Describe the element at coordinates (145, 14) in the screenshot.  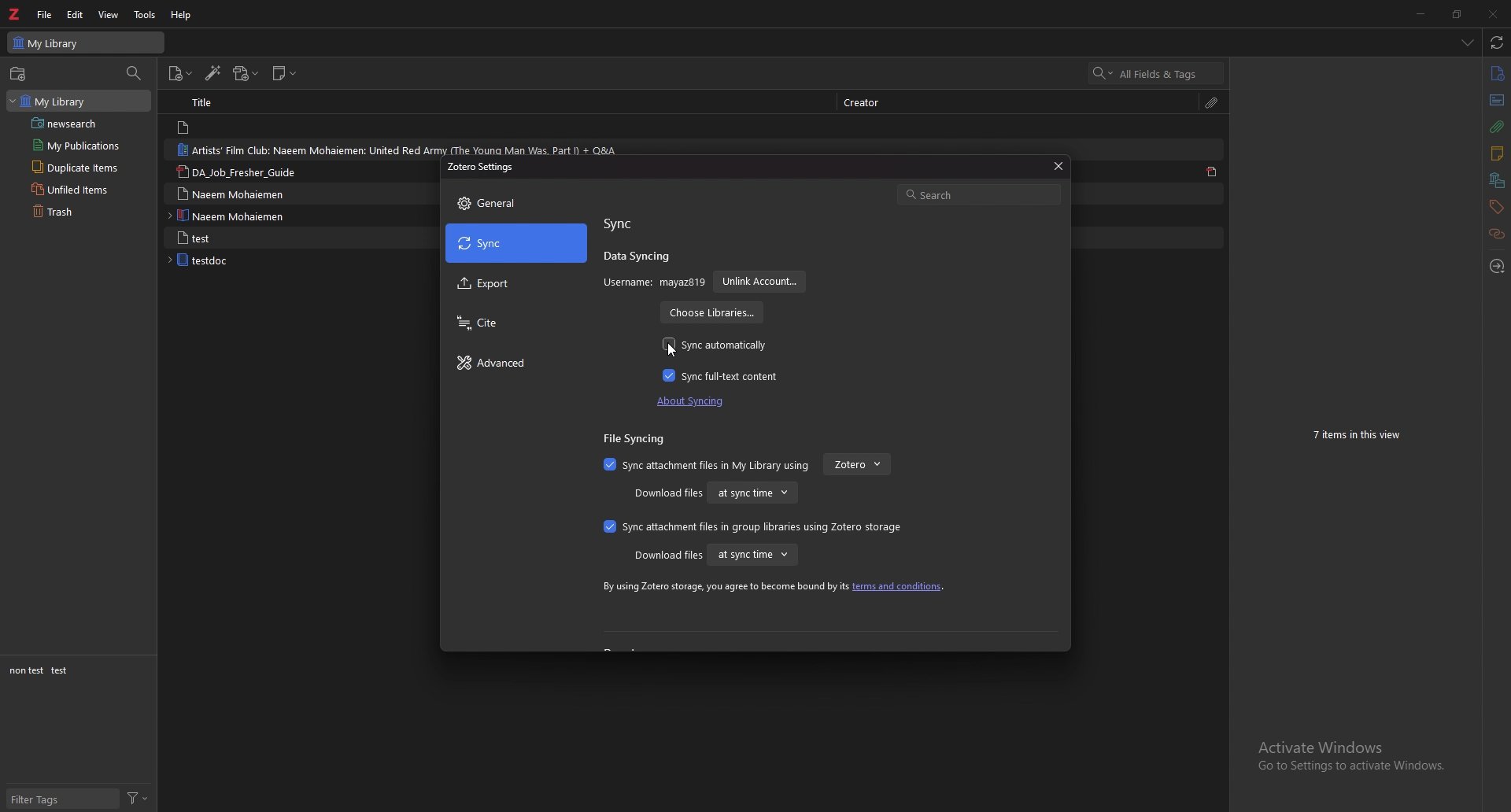
I see `tools` at that location.